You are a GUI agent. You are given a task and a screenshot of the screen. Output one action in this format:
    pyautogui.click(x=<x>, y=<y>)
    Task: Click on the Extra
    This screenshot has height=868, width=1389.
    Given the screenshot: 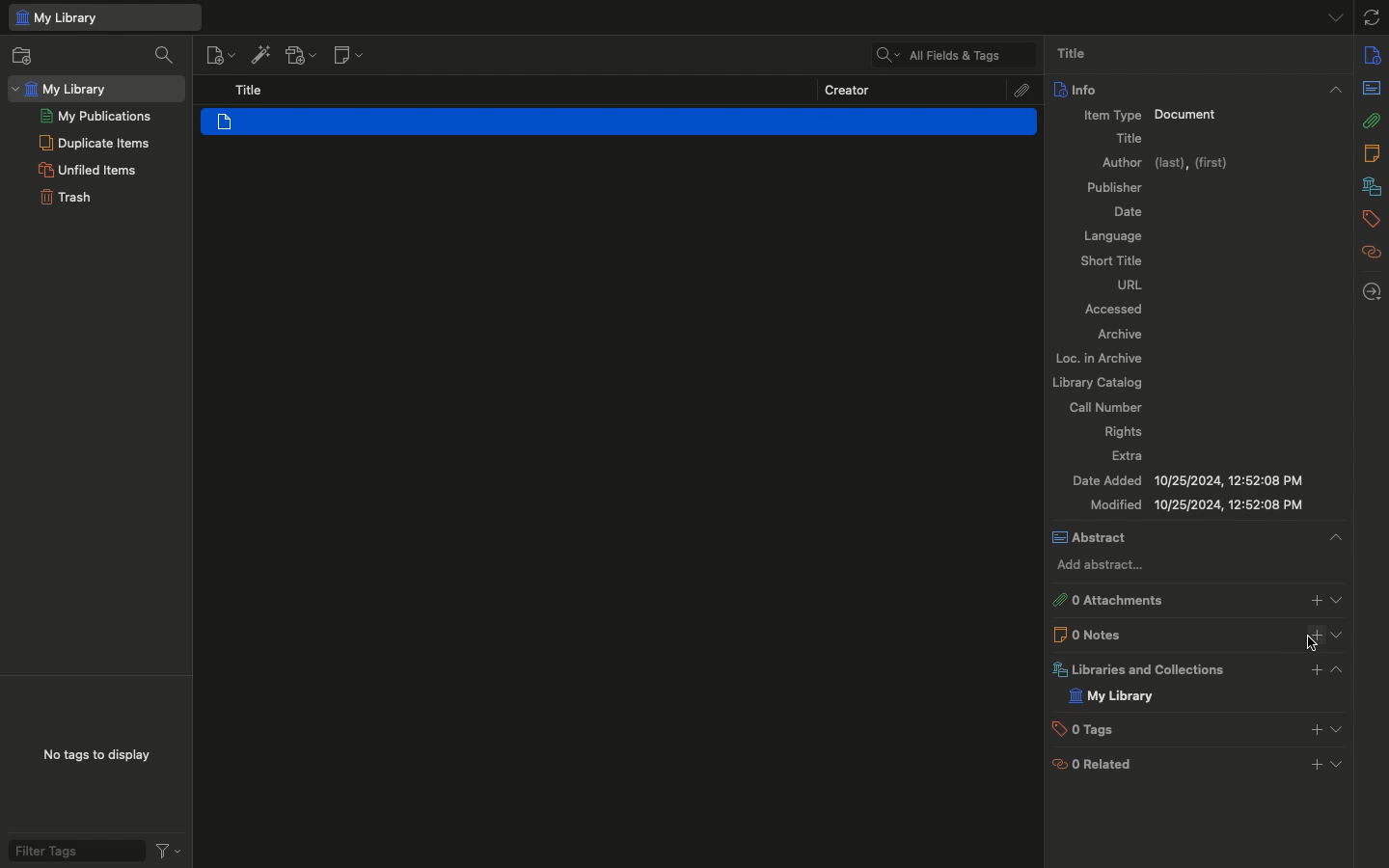 What is the action you would take?
    pyautogui.click(x=1128, y=455)
    